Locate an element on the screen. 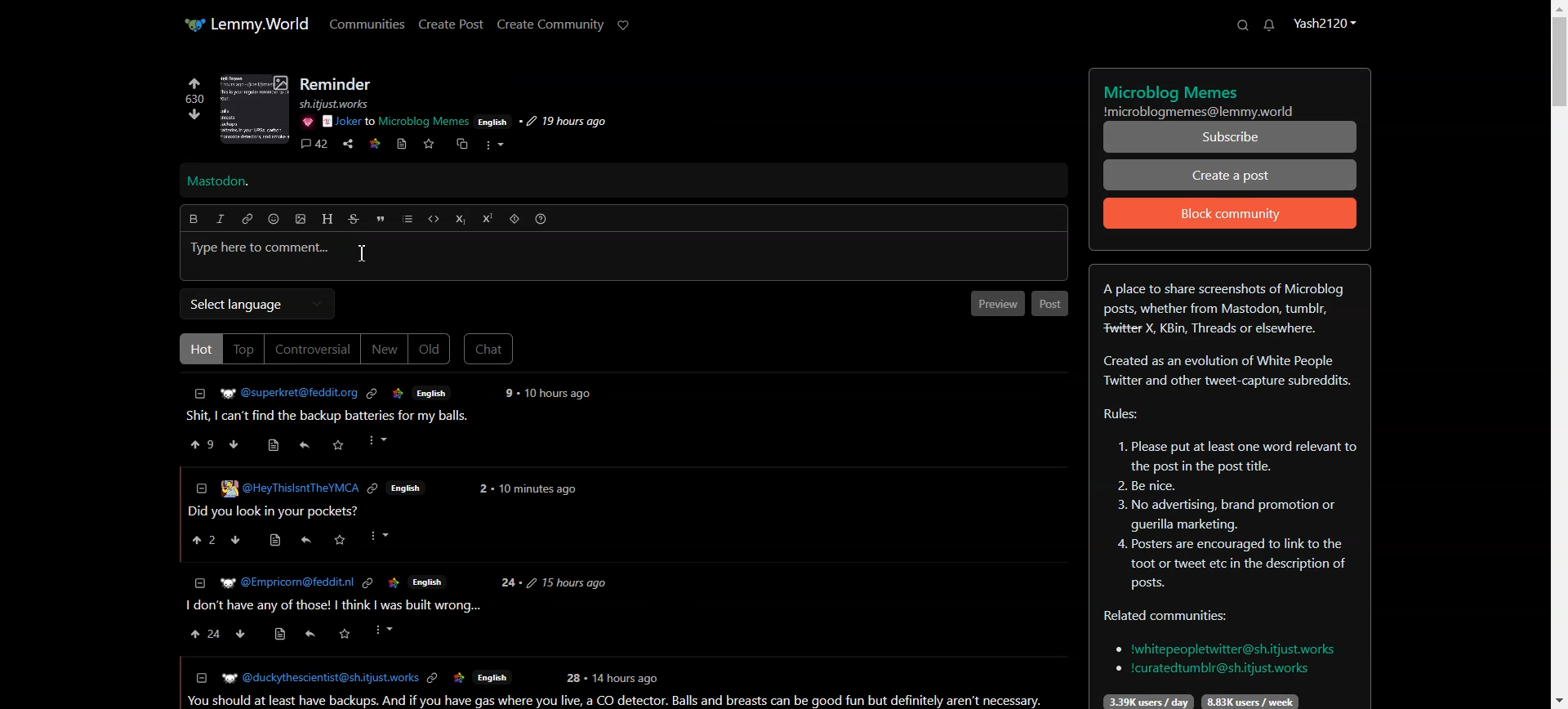 Image resolution: width=1568 pixels, height=709 pixels. Down vote is located at coordinates (191, 114).